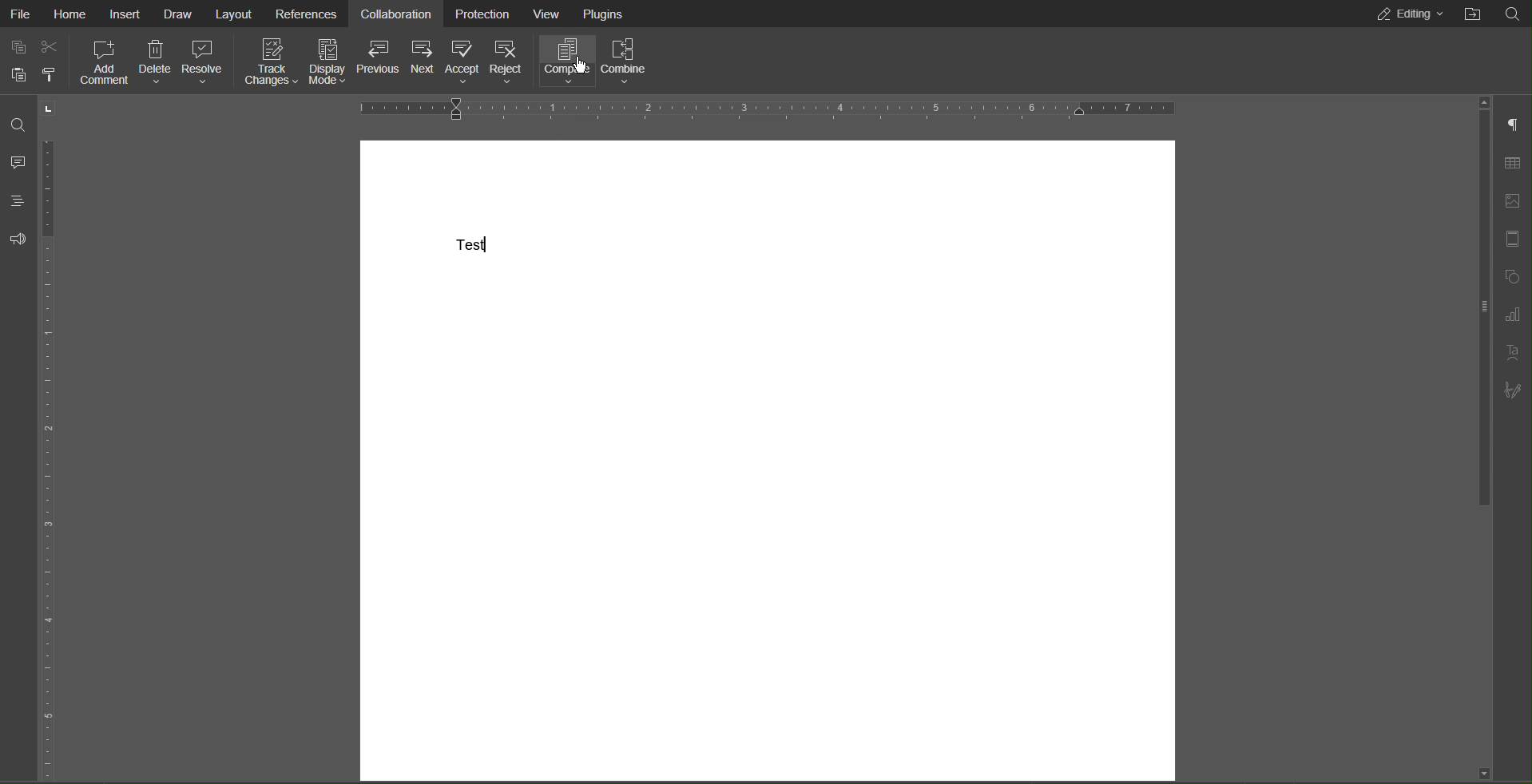 This screenshot has height=784, width=1532. Describe the element at coordinates (1512, 351) in the screenshot. I see `Text Art` at that location.